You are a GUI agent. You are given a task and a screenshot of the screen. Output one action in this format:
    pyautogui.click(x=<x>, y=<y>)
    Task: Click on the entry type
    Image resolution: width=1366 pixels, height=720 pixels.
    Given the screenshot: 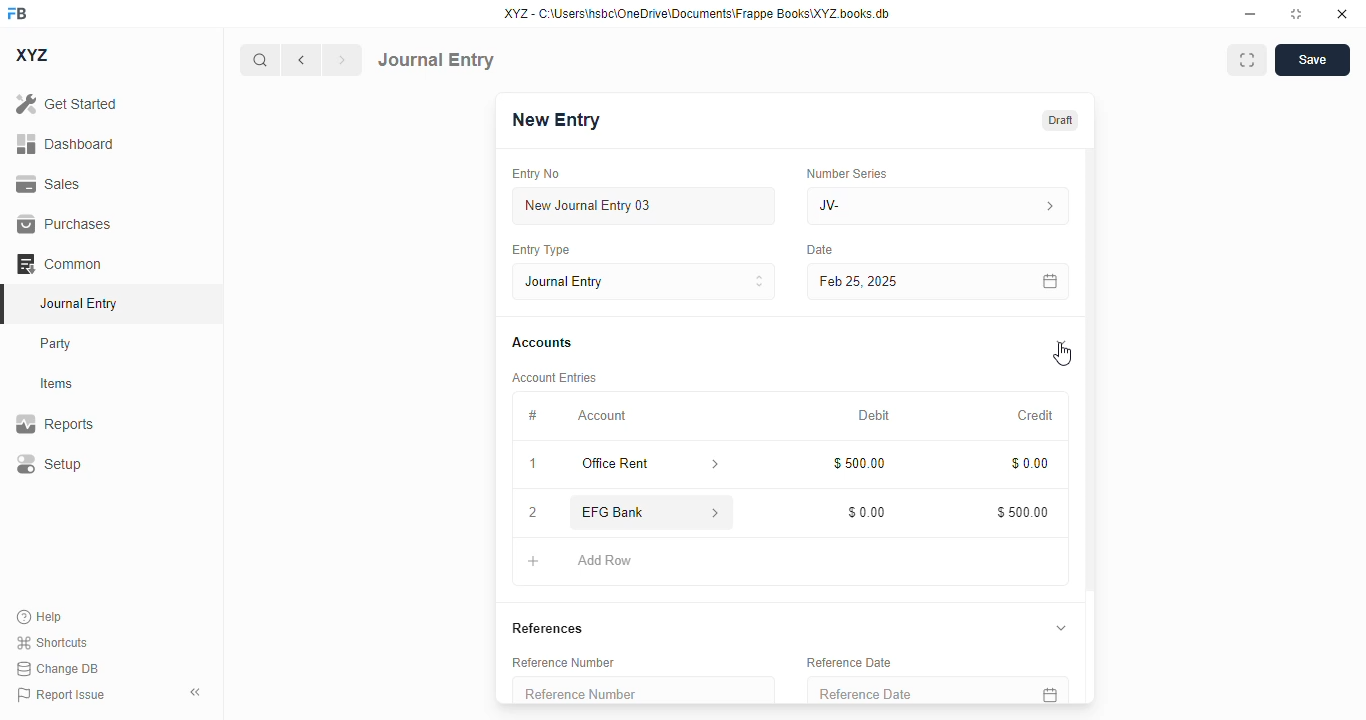 What is the action you would take?
    pyautogui.click(x=643, y=281)
    